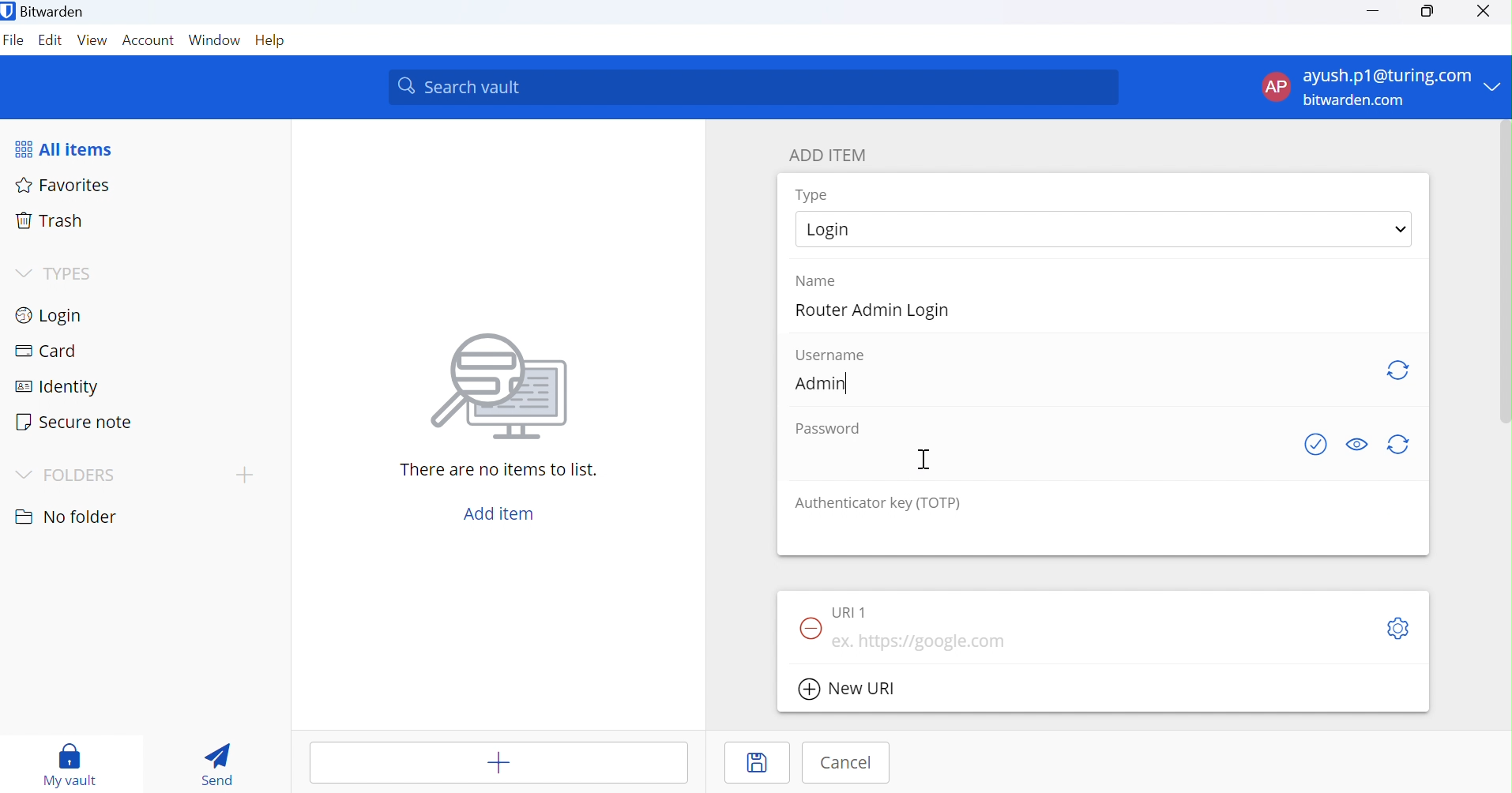 This screenshot has height=793, width=1512. What do you see at coordinates (927, 461) in the screenshot?
I see `Cursor` at bounding box center [927, 461].